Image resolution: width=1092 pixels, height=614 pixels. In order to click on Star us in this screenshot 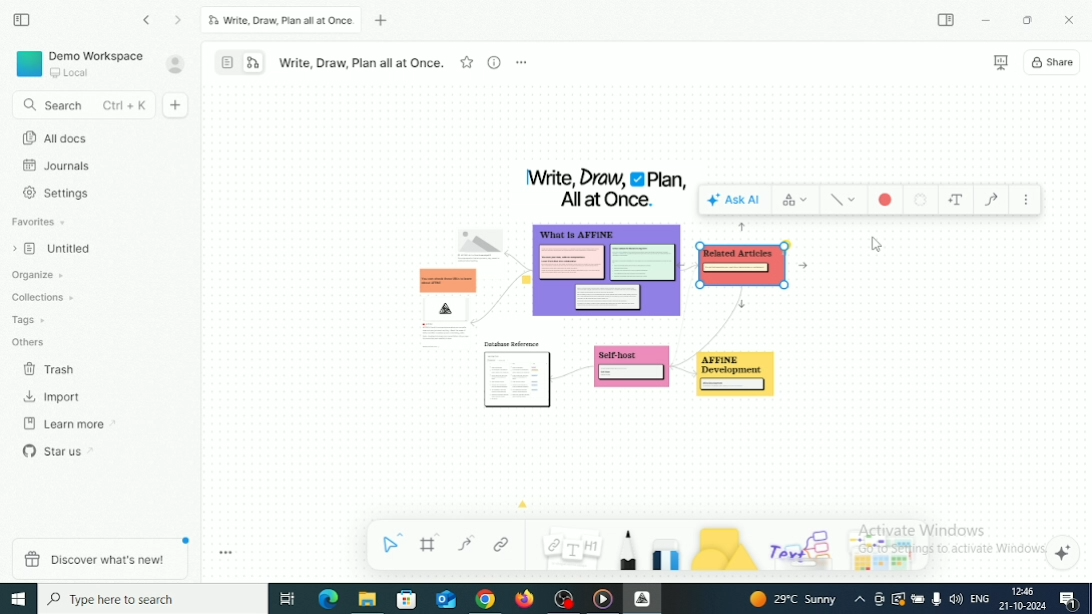, I will do `click(59, 450)`.